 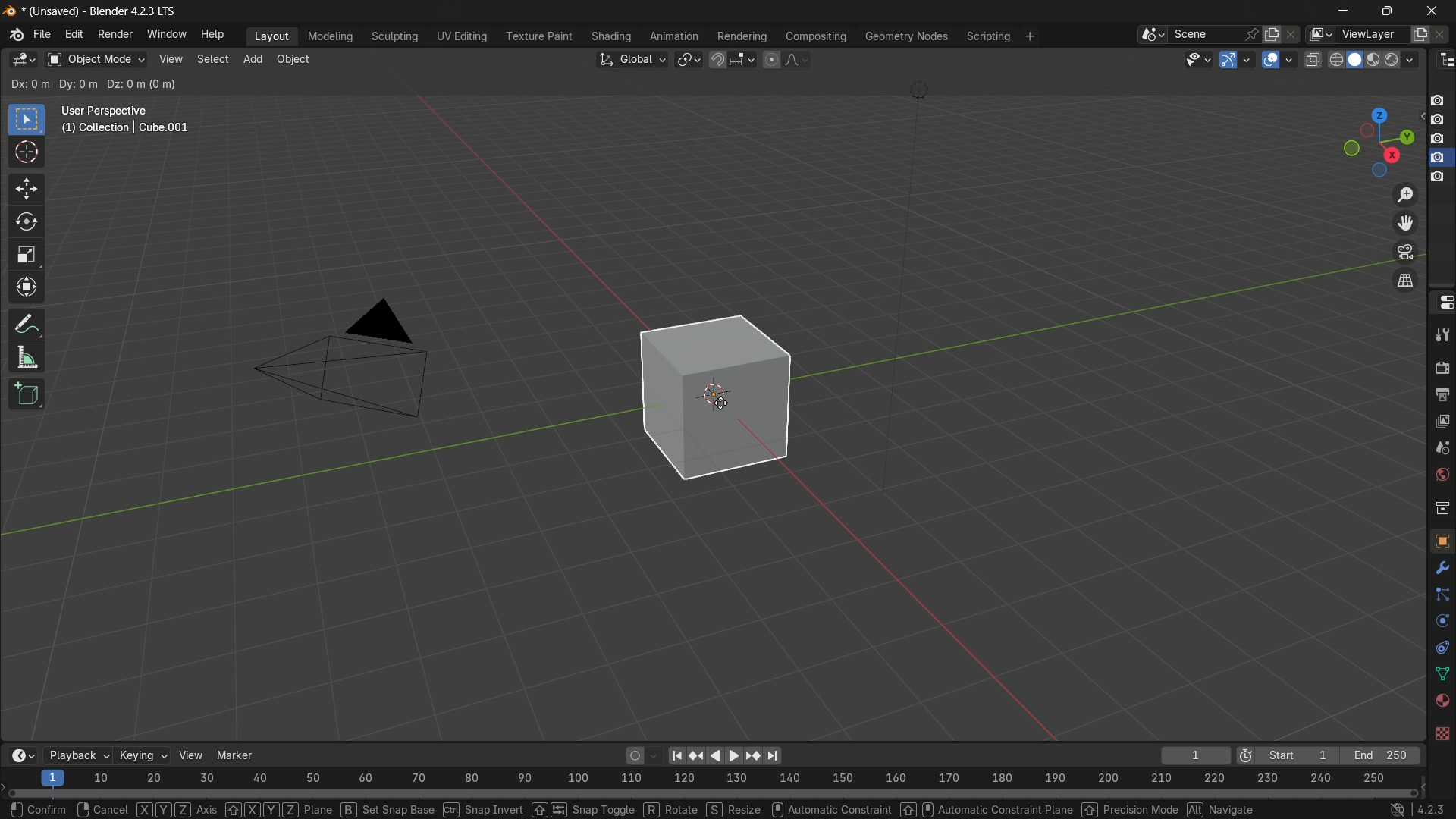 What do you see at coordinates (18, 757) in the screenshot?
I see `timeline` at bounding box center [18, 757].